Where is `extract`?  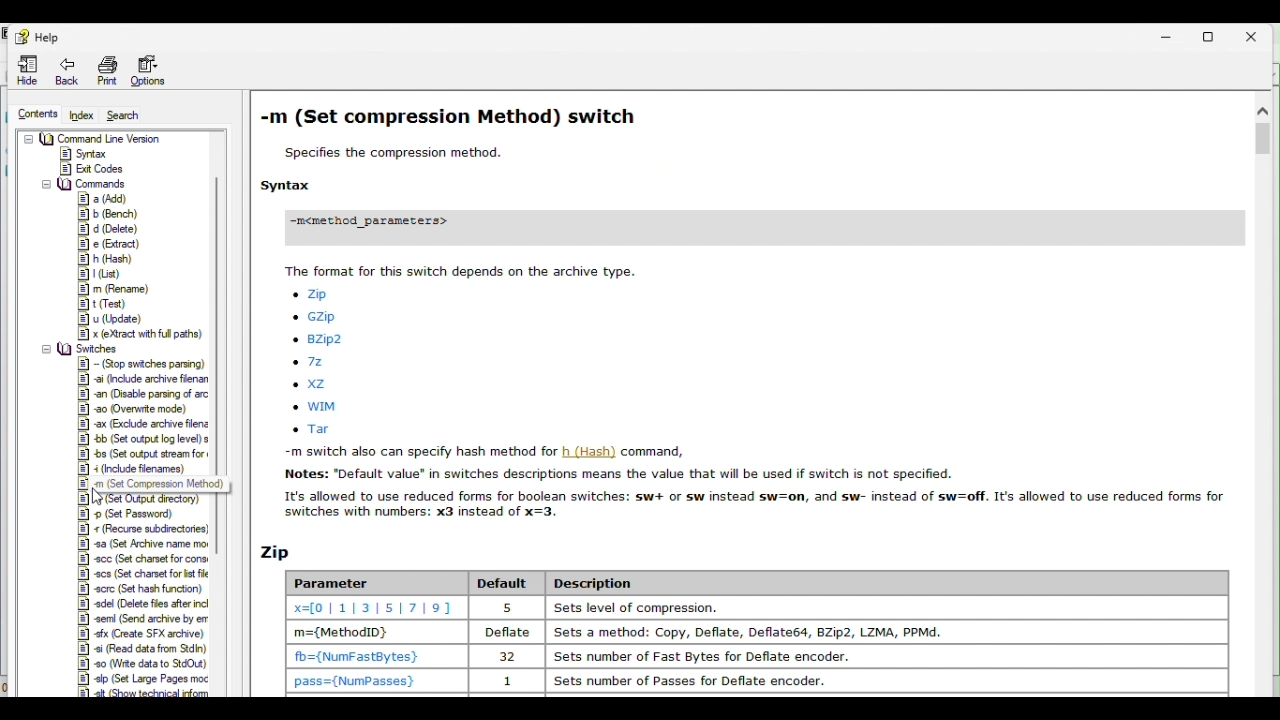
extract is located at coordinates (110, 244).